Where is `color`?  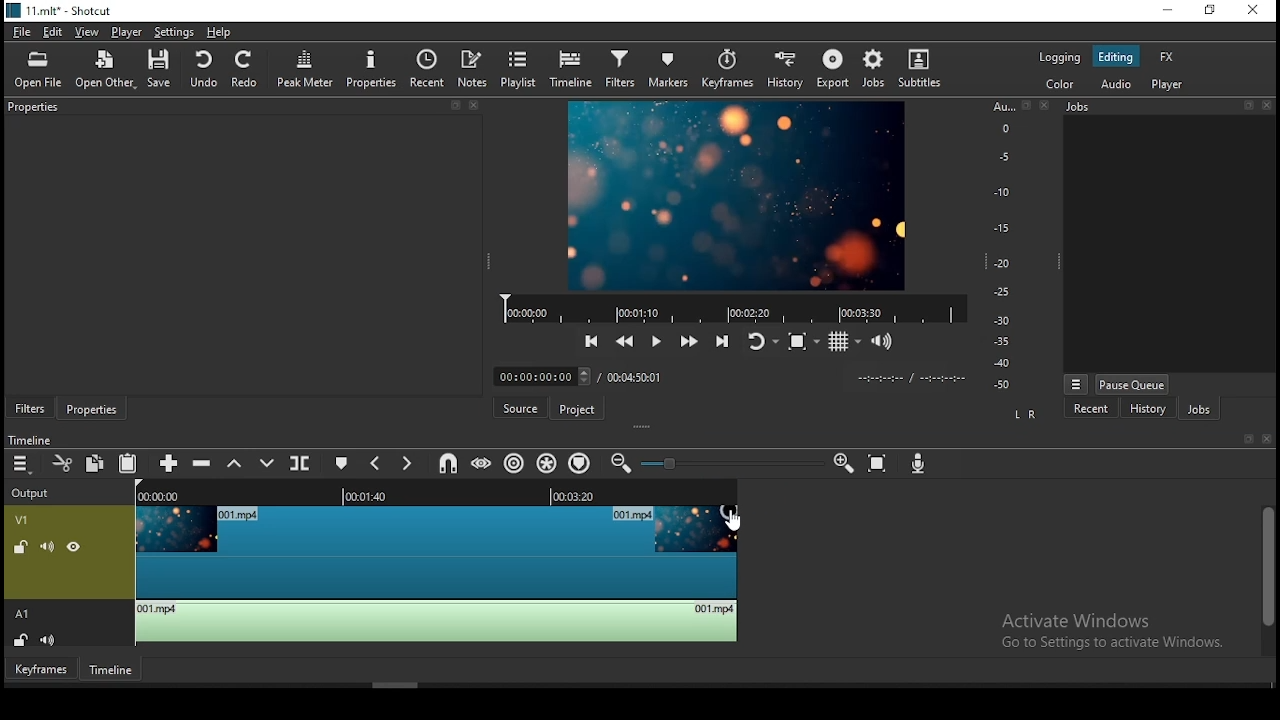
color is located at coordinates (1067, 86).